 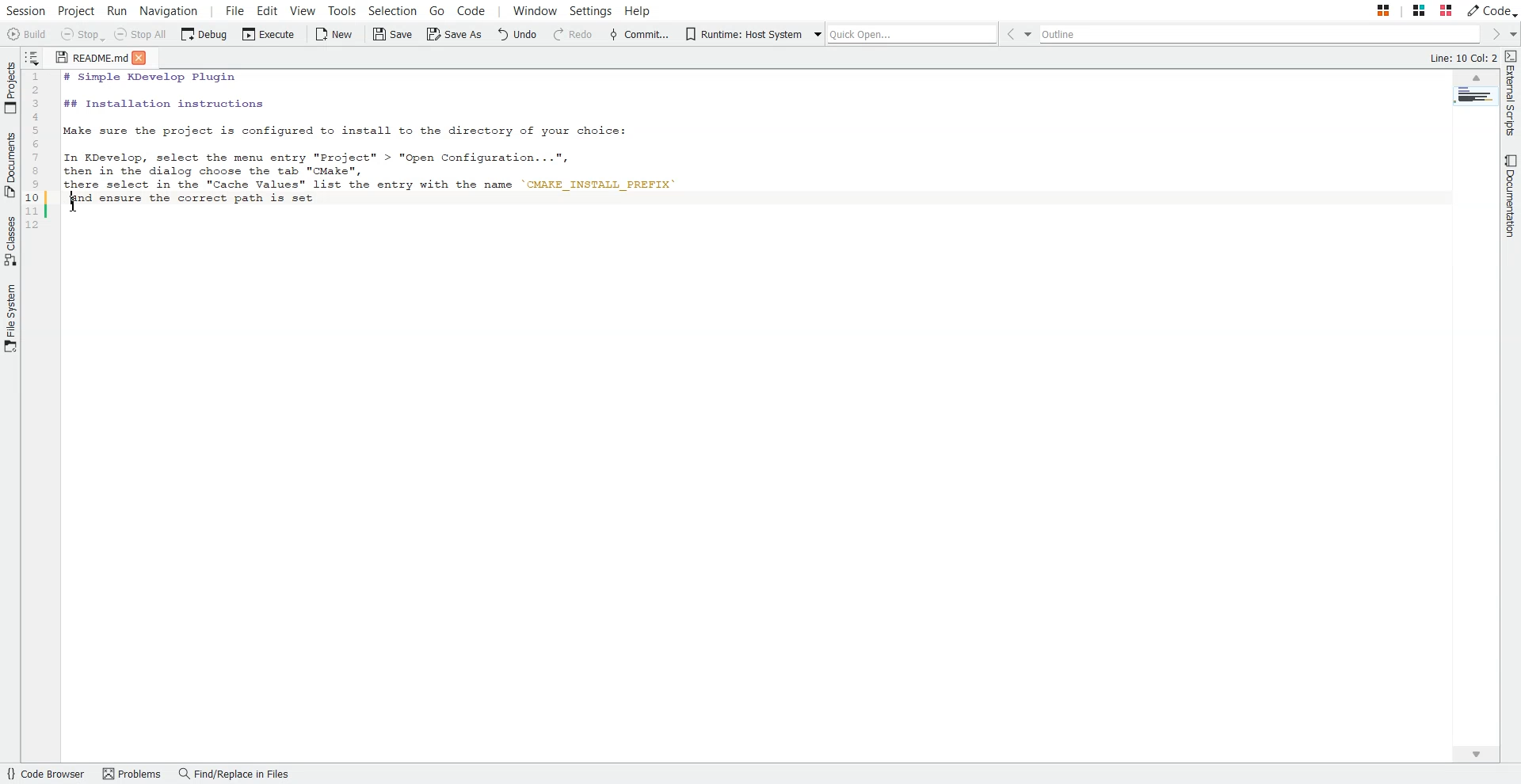 What do you see at coordinates (574, 35) in the screenshot?
I see `Redo` at bounding box center [574, 35].